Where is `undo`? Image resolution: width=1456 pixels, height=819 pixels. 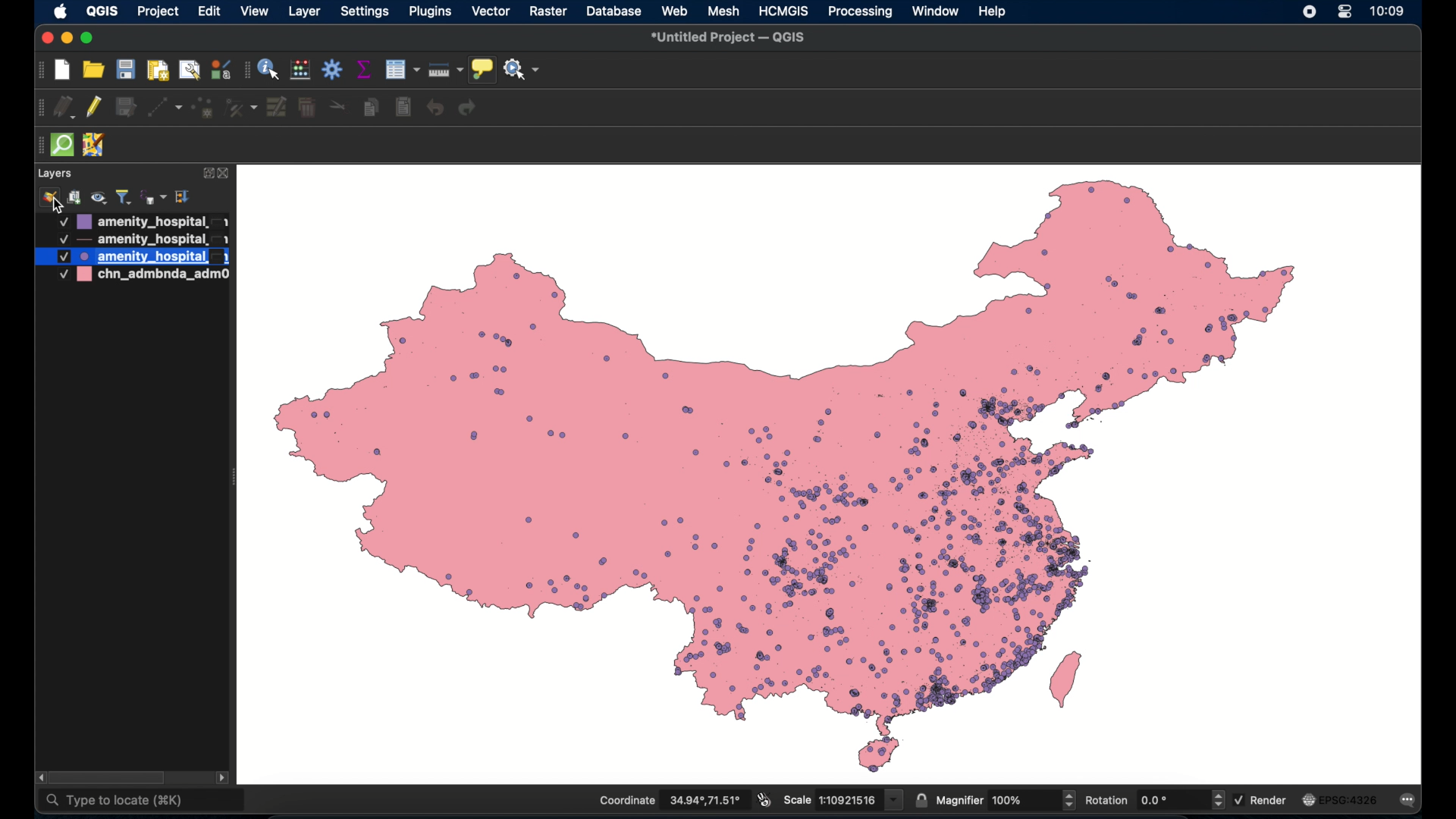 undo is located at coordinates (436, 108).